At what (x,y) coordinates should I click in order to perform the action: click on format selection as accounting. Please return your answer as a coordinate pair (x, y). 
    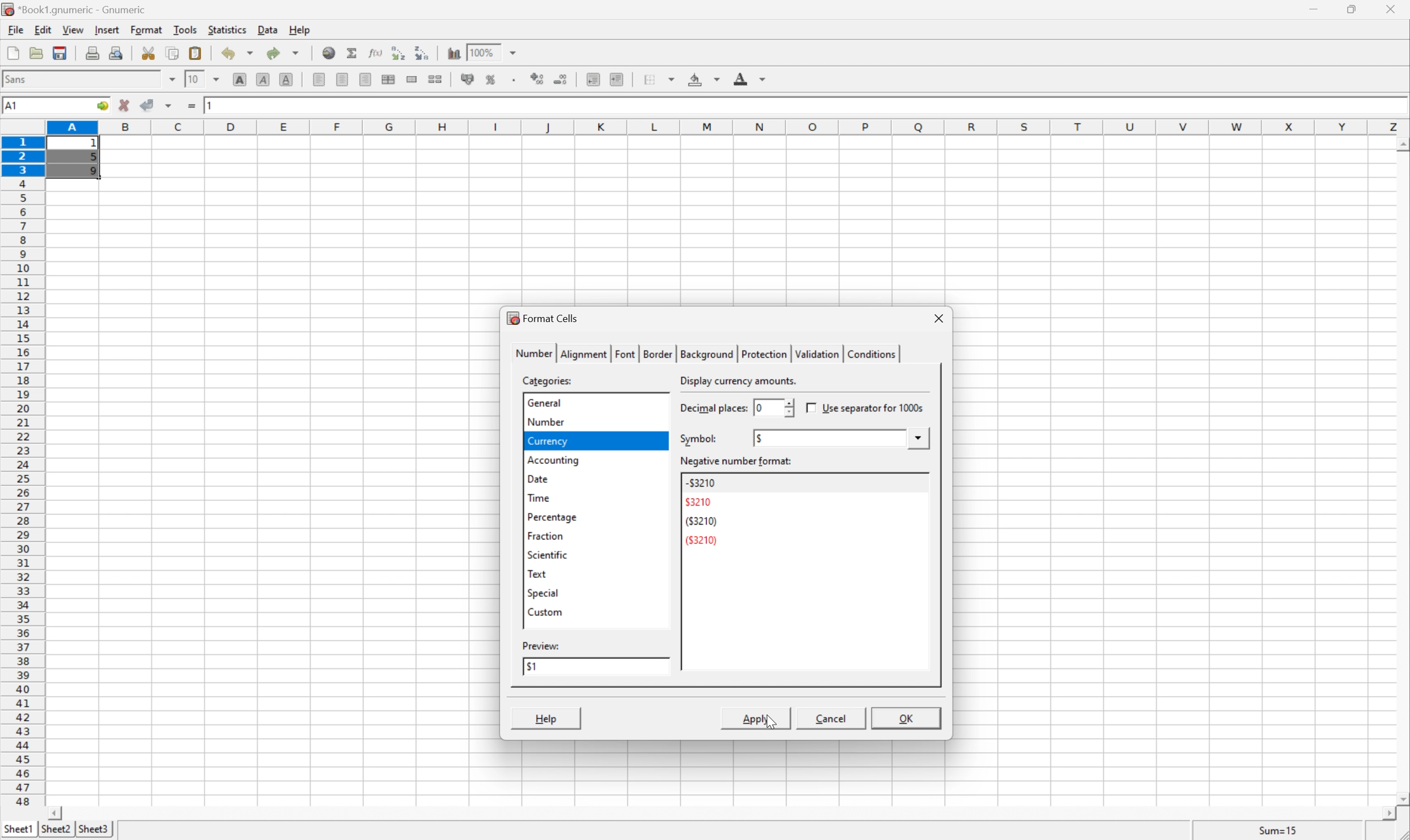
    Looking at the image, I should click on (468, 79).